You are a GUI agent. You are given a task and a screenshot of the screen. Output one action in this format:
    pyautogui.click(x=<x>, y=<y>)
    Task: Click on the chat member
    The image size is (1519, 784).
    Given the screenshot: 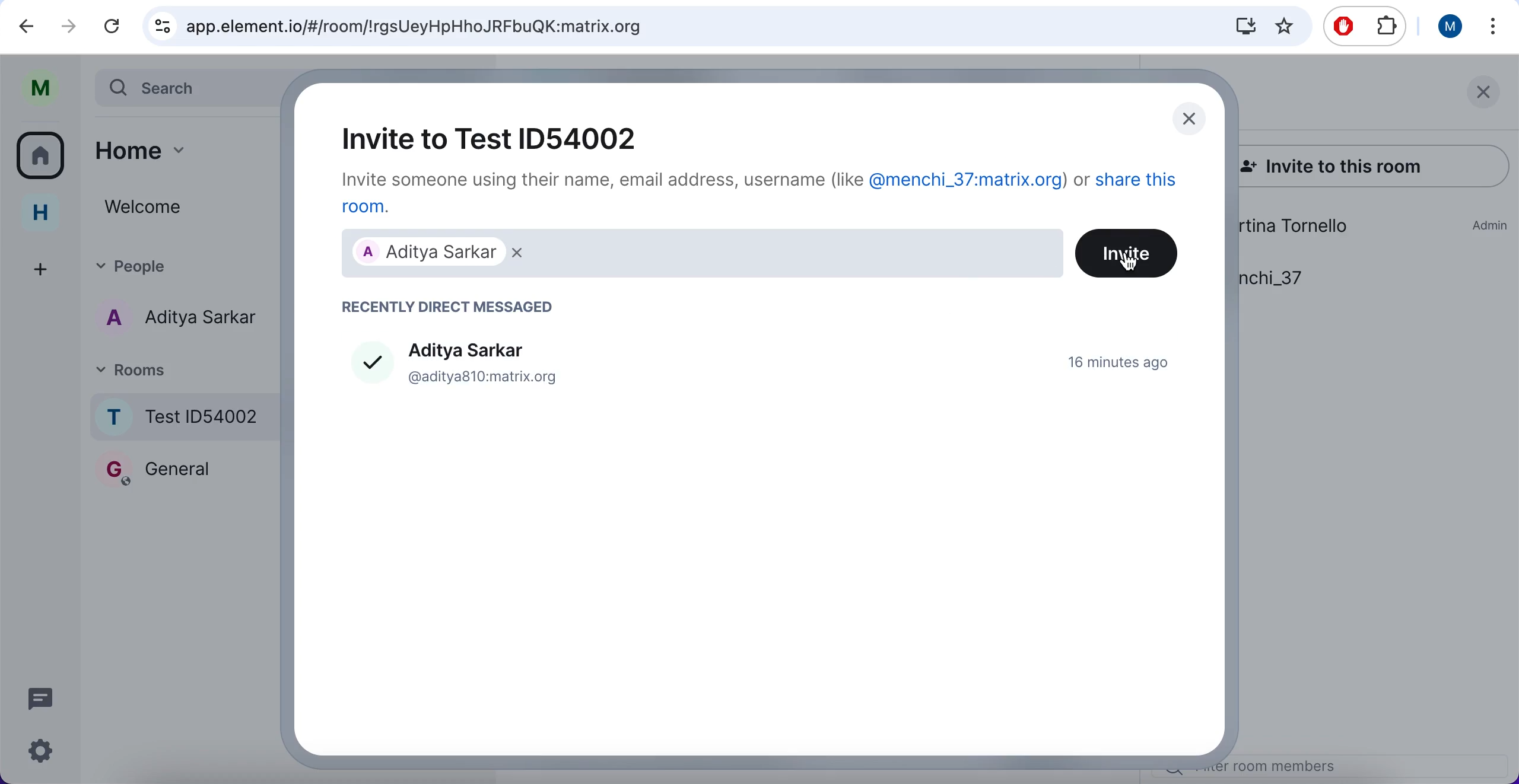 What is the action you would take?
    pyautogui.click(x=183, y=316)
    